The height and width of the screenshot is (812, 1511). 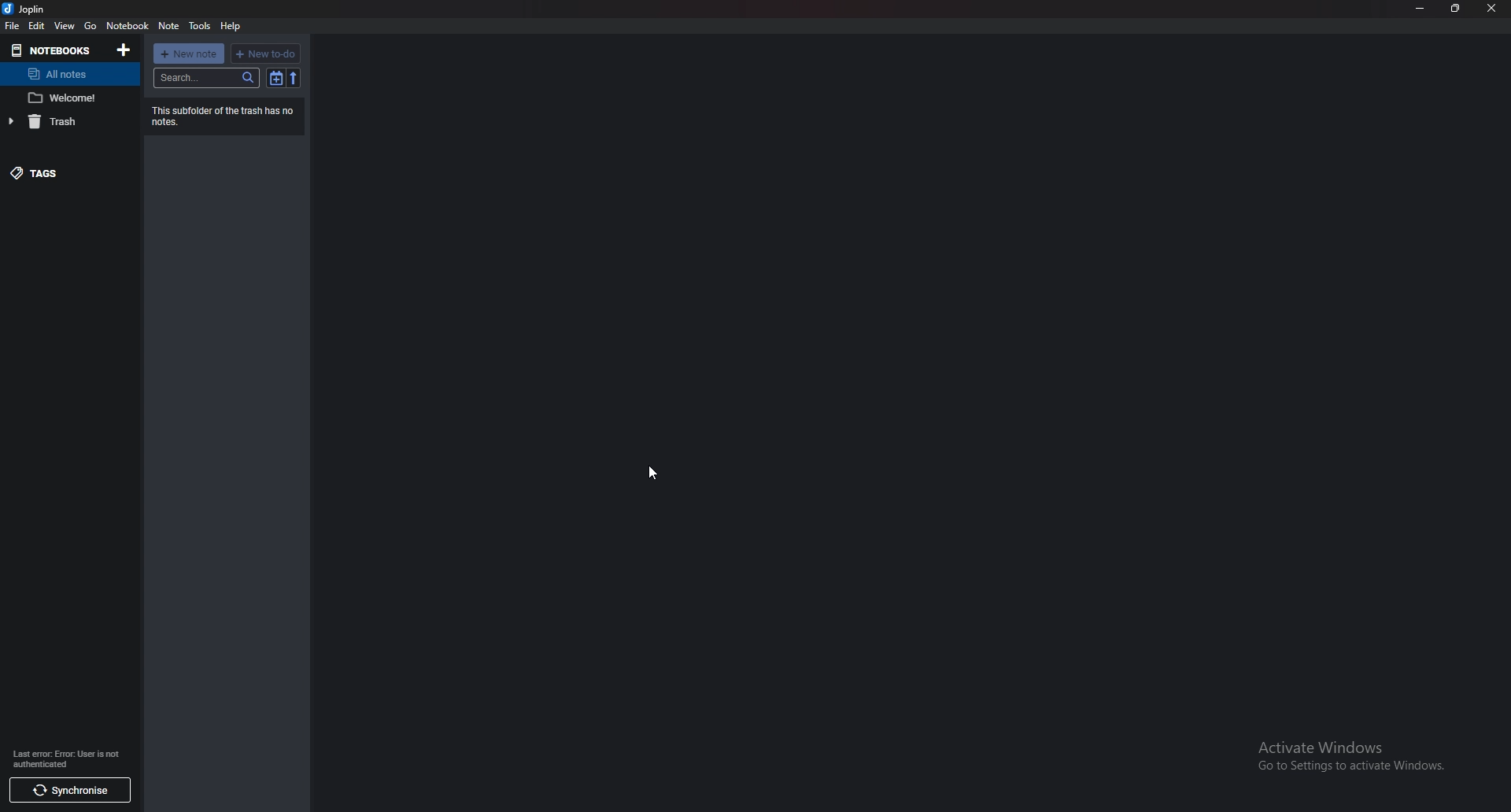 What do you see at coordinates (653, 472) in the screenshot?
I see `cursor` at bounding box center [653, 472].